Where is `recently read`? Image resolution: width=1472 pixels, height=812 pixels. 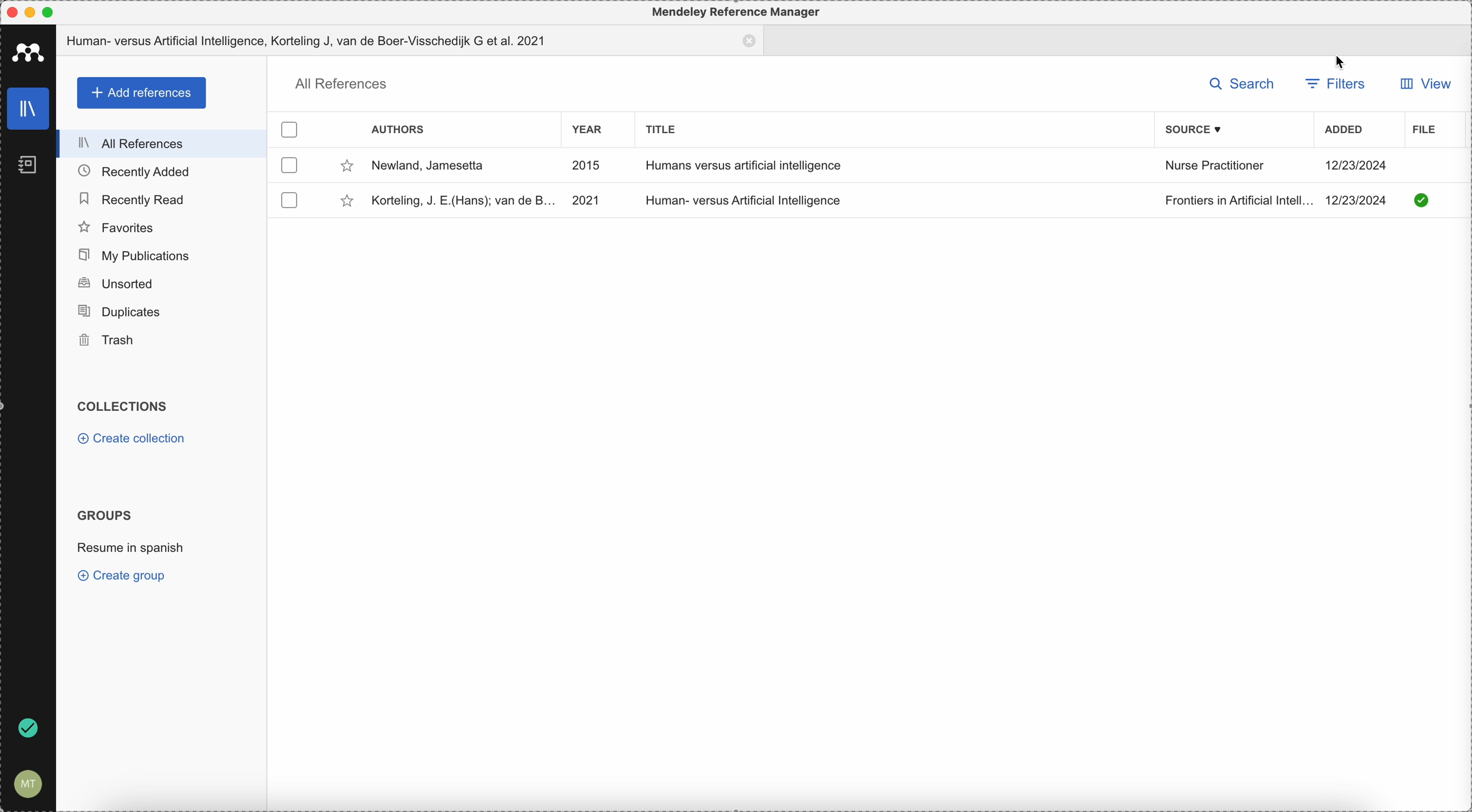
recently read is located at coordinates (161, 198).